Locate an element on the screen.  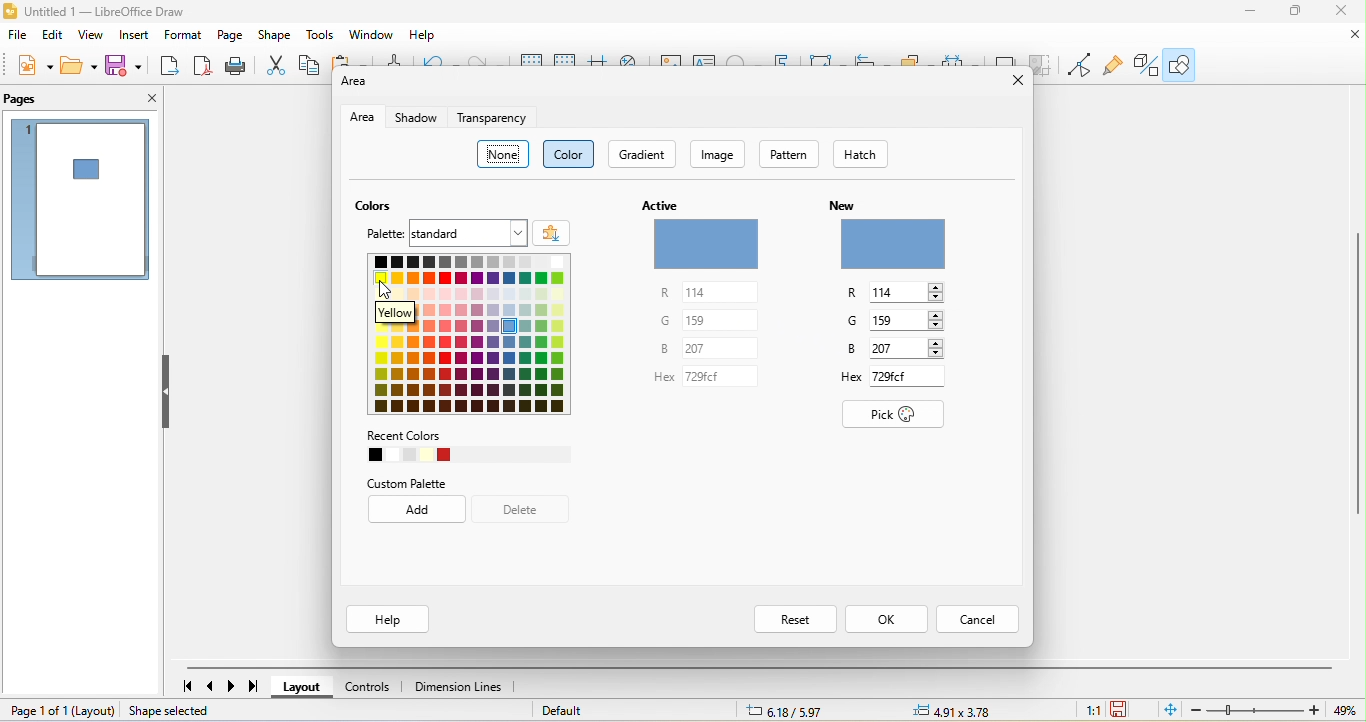
close is located at coordinates (1343, 12).